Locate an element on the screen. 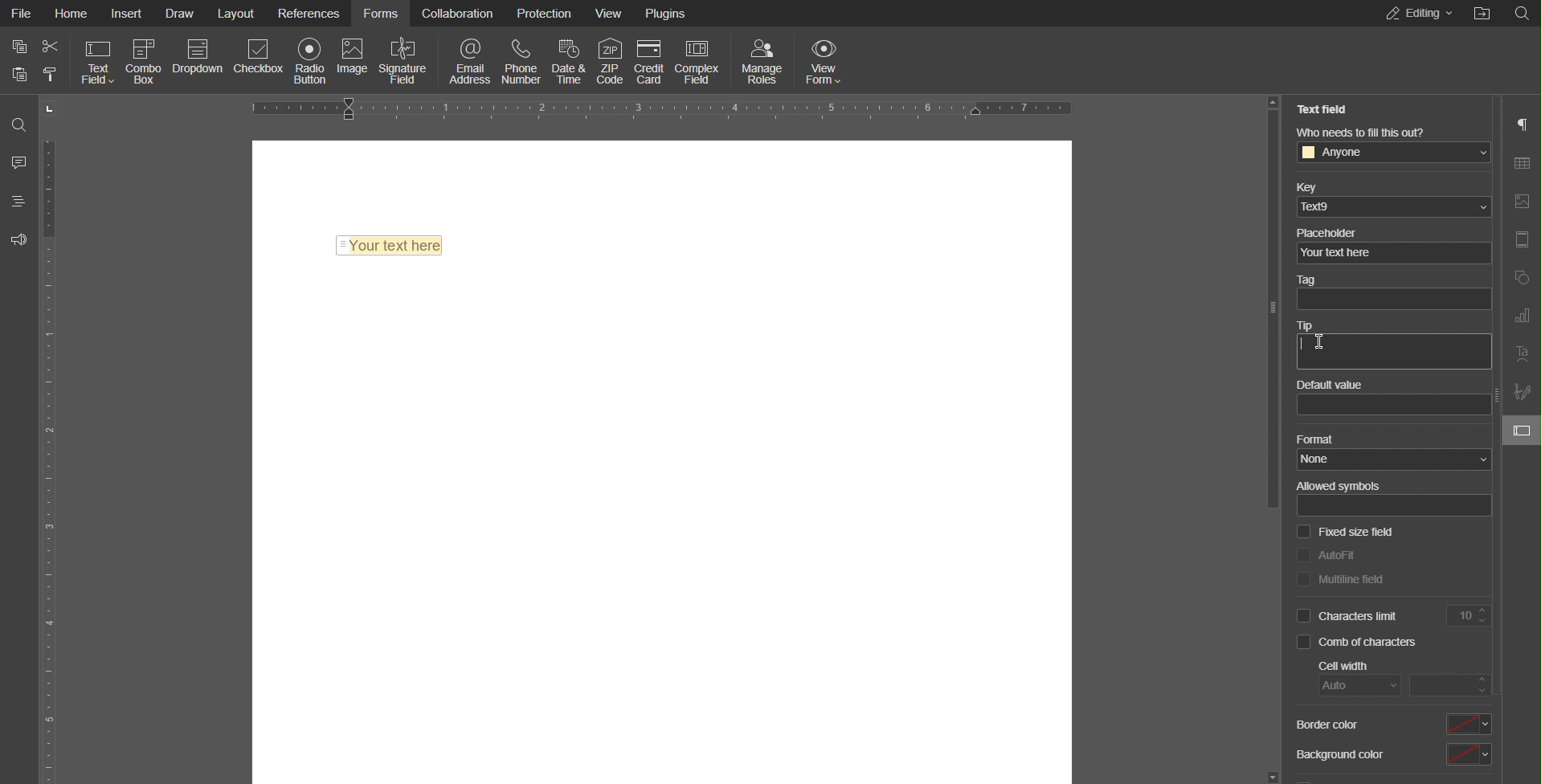  checkbox is located at coordinates (1304, 642).